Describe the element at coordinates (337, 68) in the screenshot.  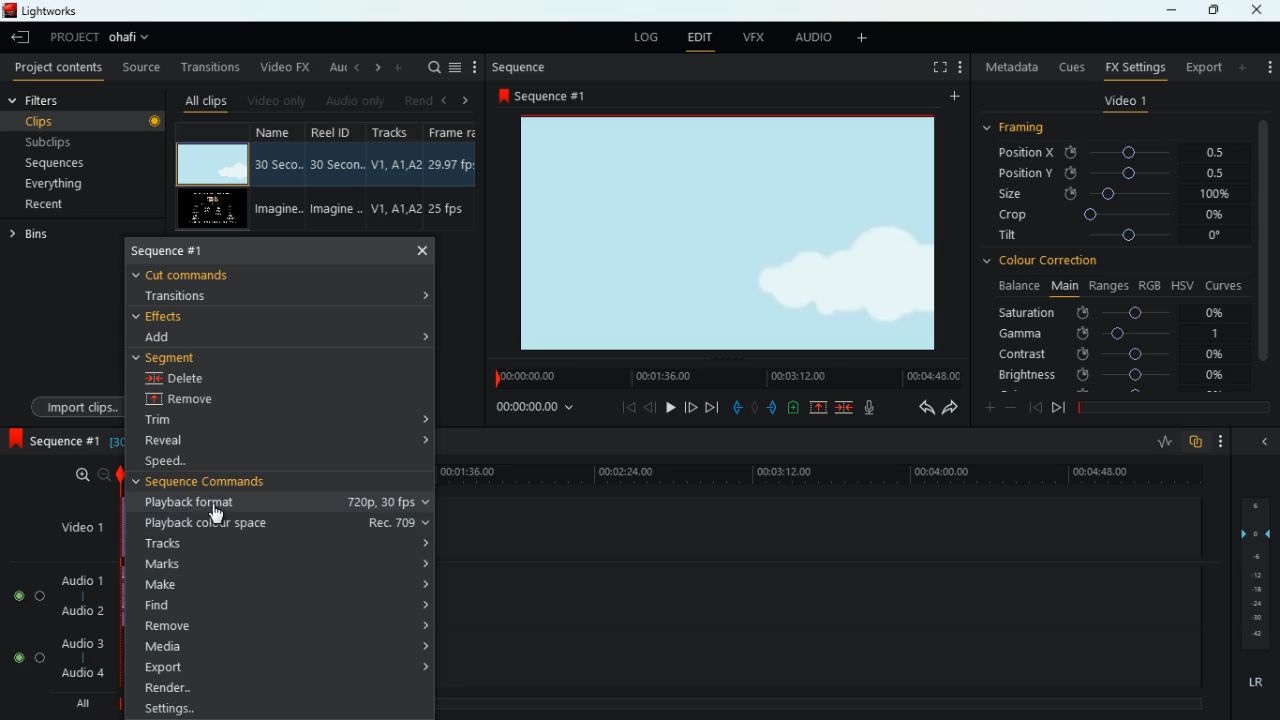
I see `au` at that location.